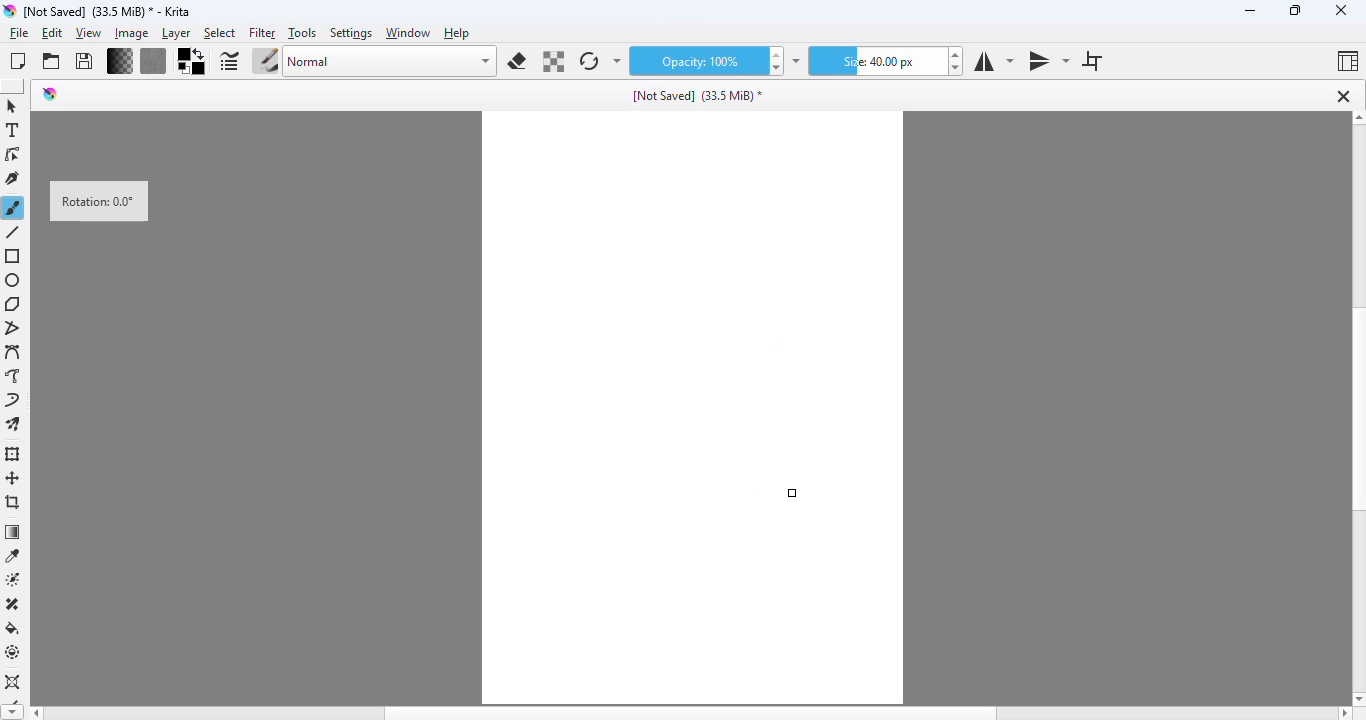 The height and width of the screenshot is (720, 1366). I want to click on help, so click(456, 33).